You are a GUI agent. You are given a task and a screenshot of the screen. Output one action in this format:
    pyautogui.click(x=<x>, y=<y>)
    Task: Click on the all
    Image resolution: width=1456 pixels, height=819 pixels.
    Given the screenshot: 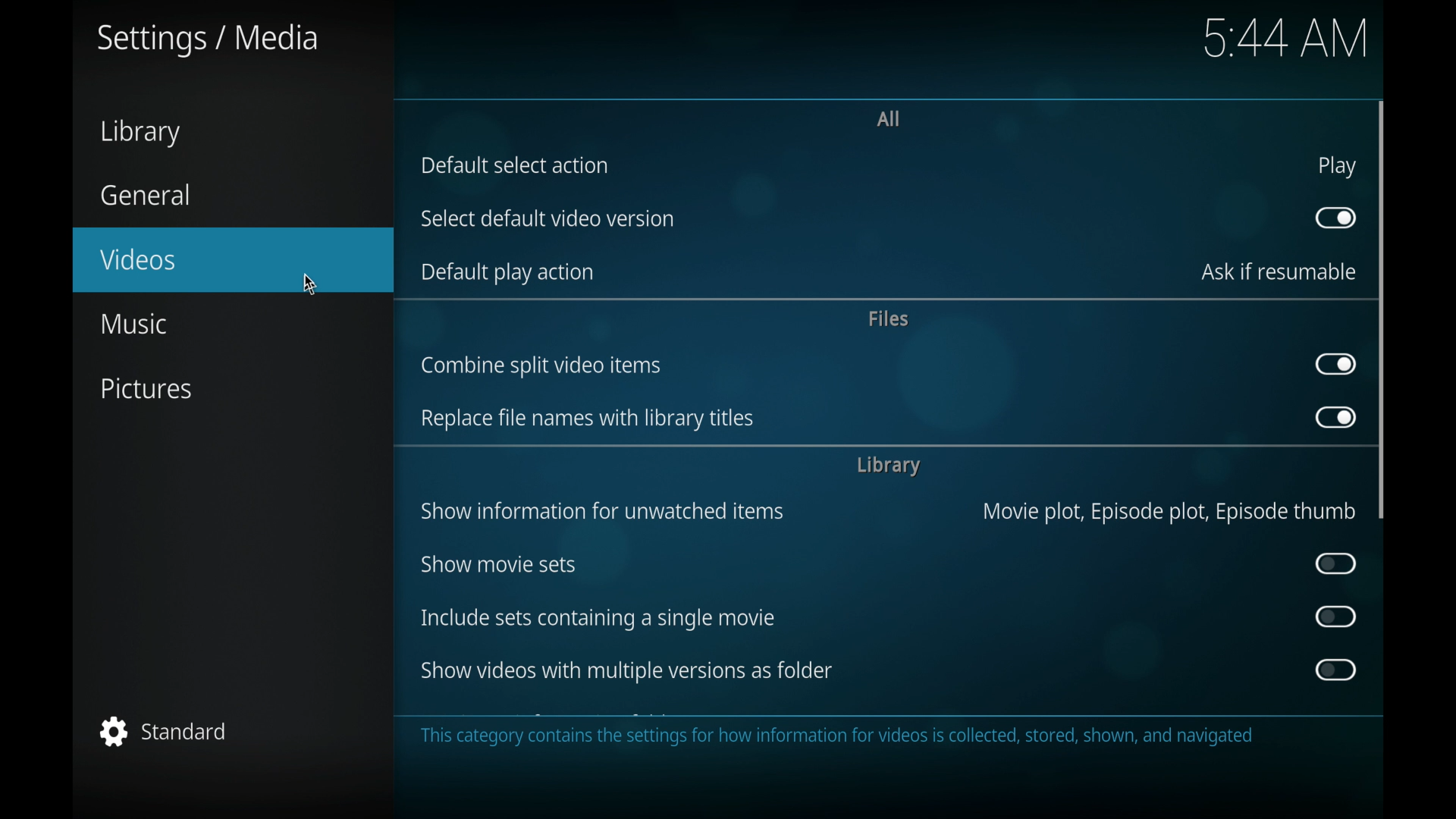 What is the action you would take?
    pyautogui.click(x=889, y=119)
    